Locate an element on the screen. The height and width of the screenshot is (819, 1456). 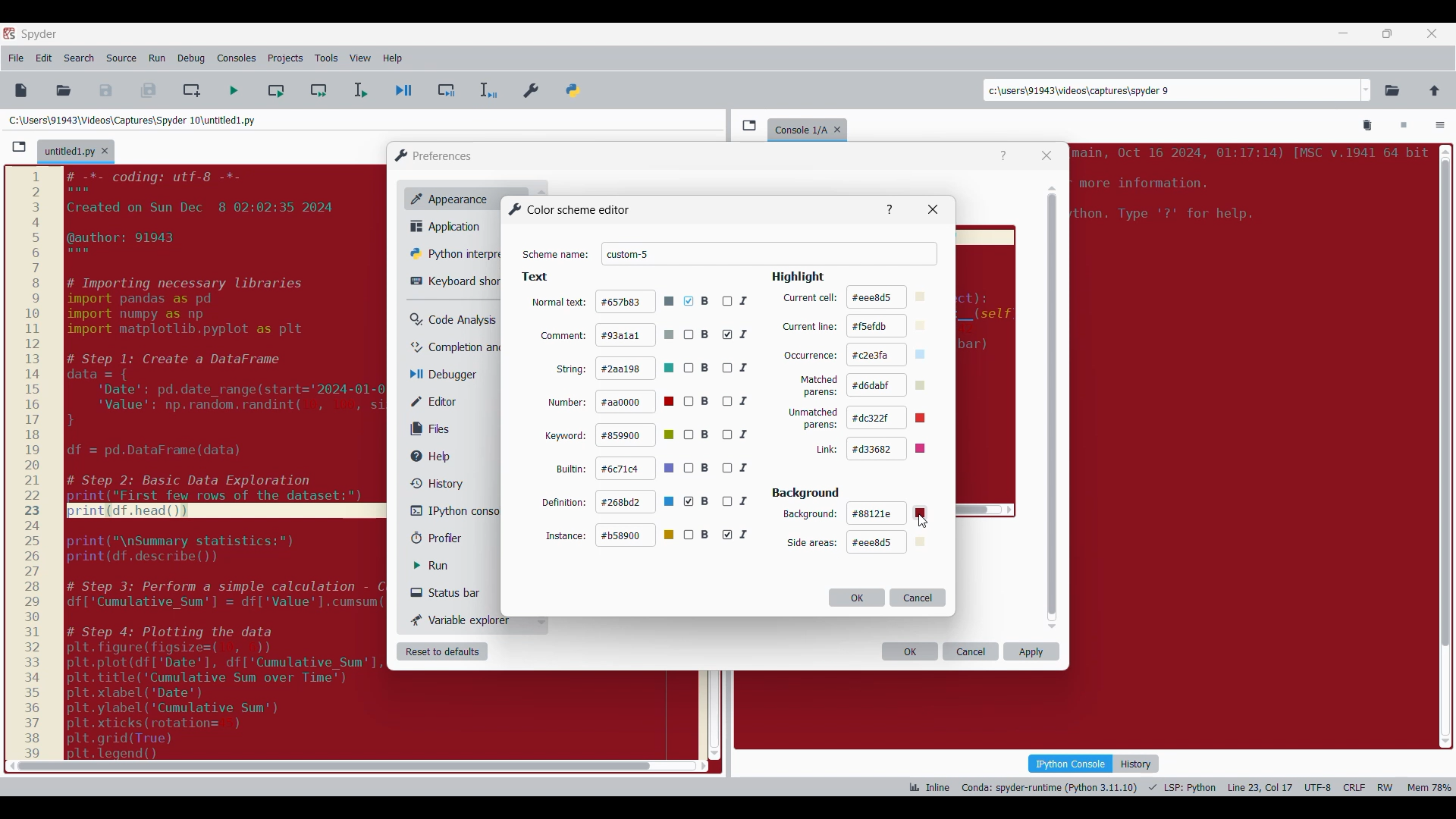
History is located at coordinates (434, 483).